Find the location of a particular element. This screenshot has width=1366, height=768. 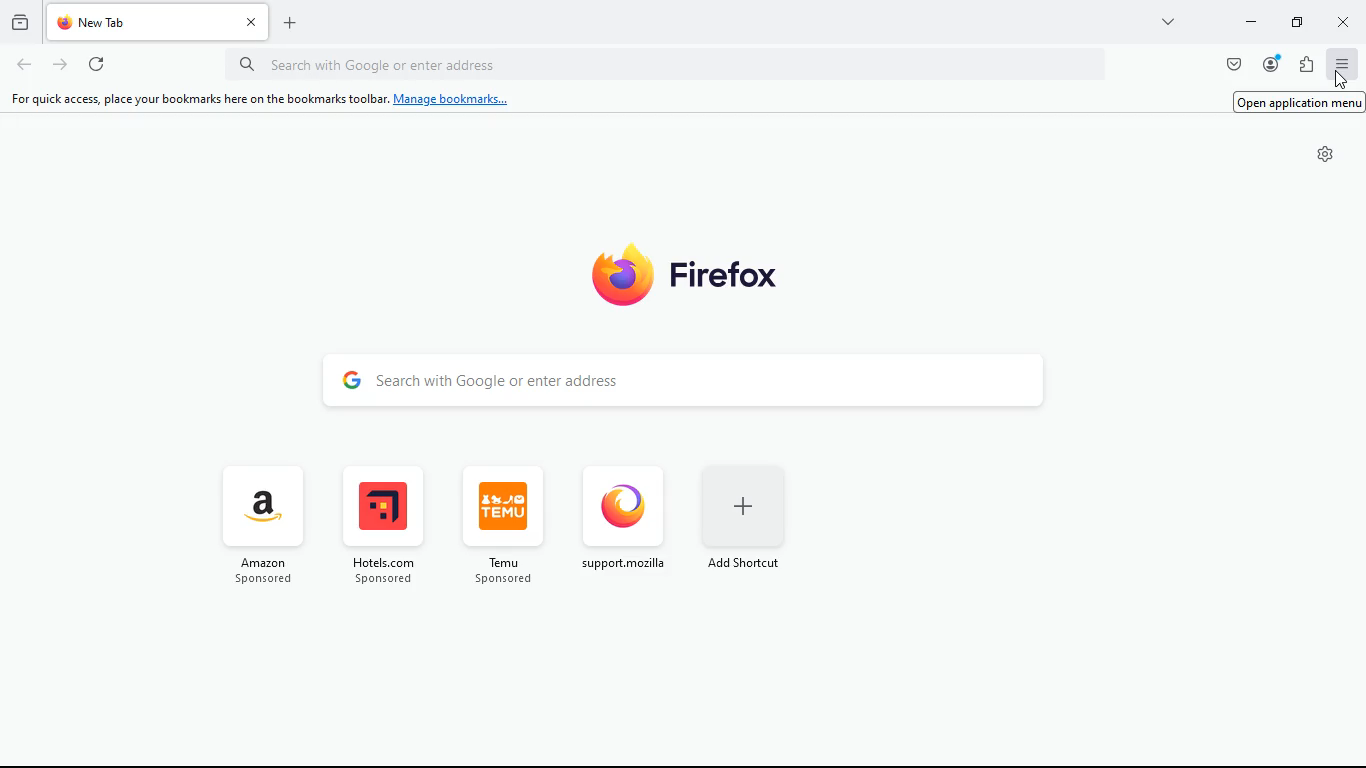

Cursor is located at coordinates (1345, 72).